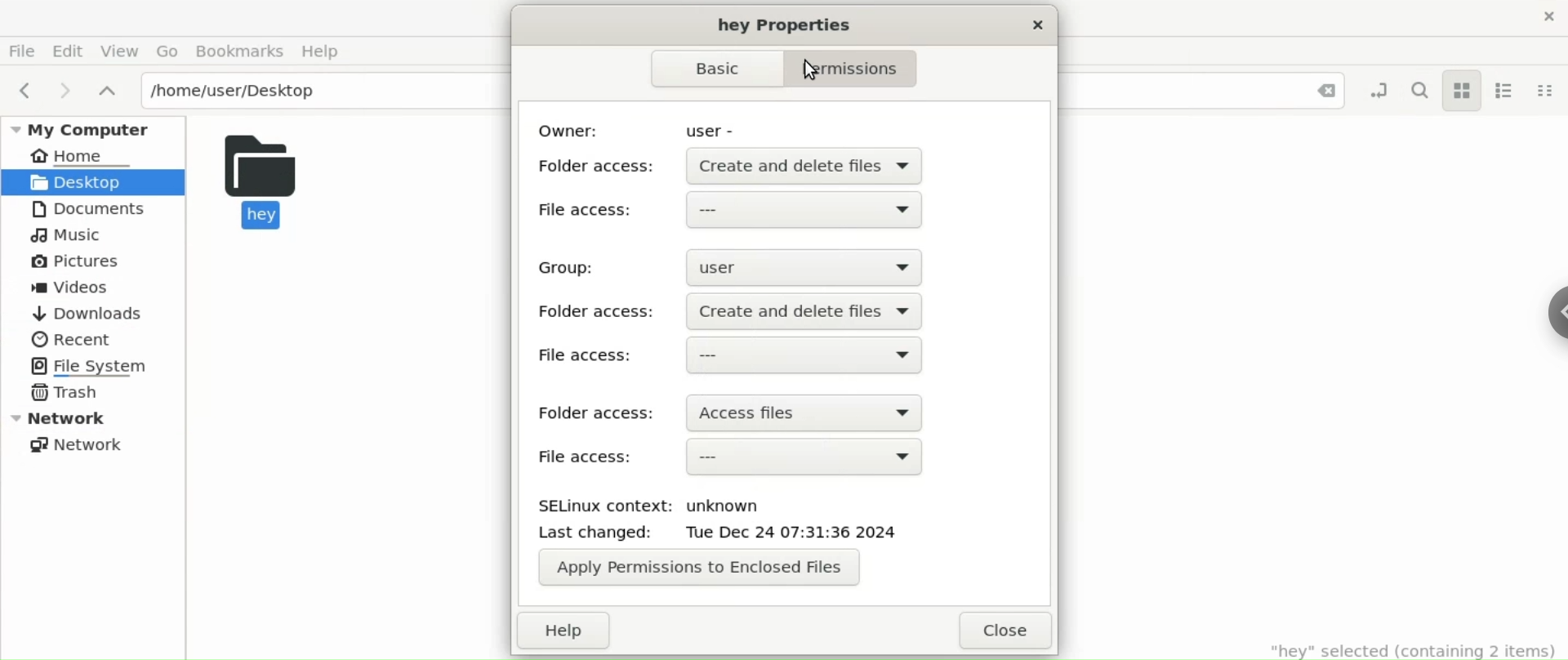  I want to click on Create and delete files, so click(808, 166).